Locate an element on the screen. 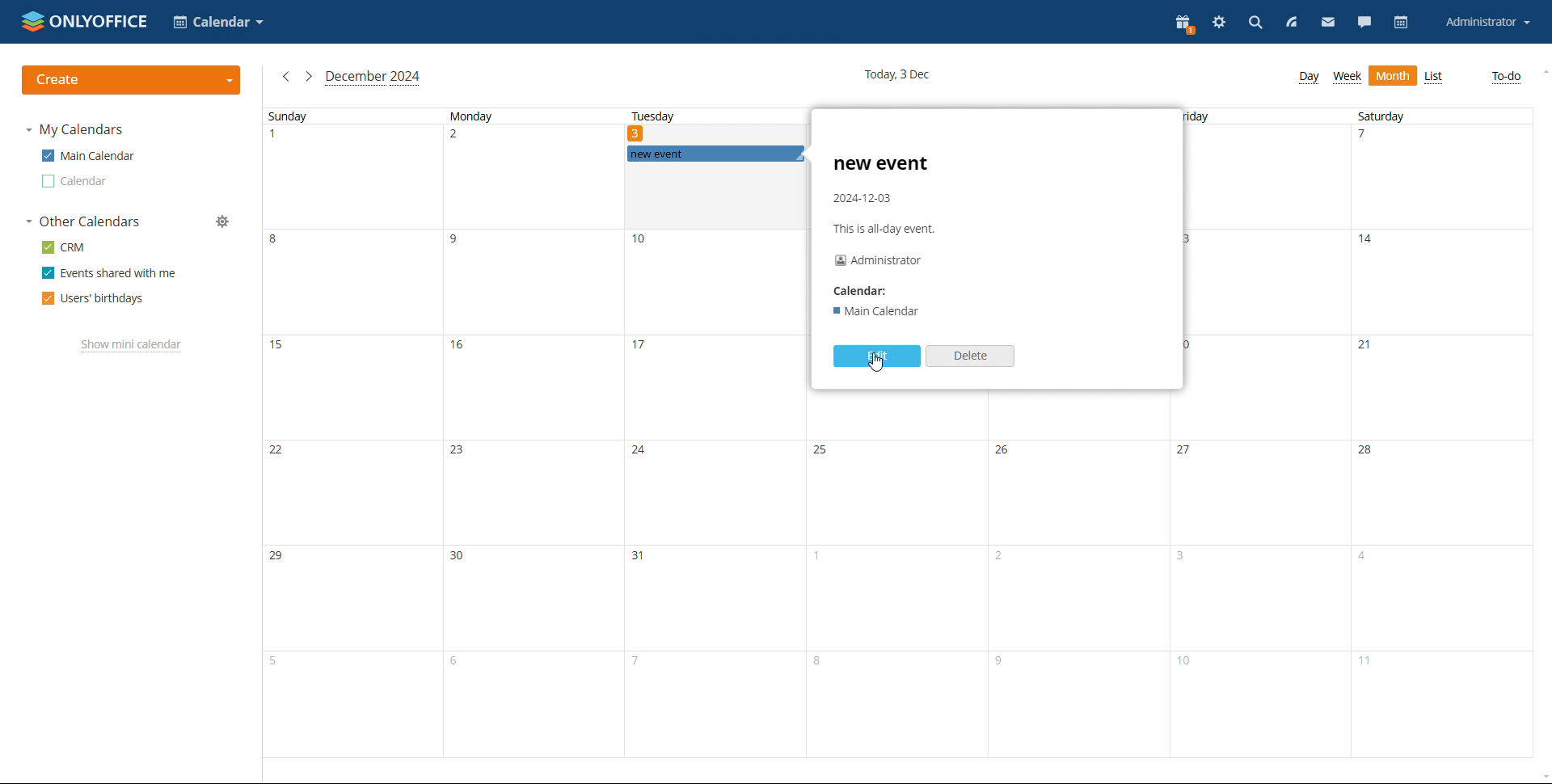 The width and height of the screenshot is (1552, 784). search is located at coordinates (1254, 23).